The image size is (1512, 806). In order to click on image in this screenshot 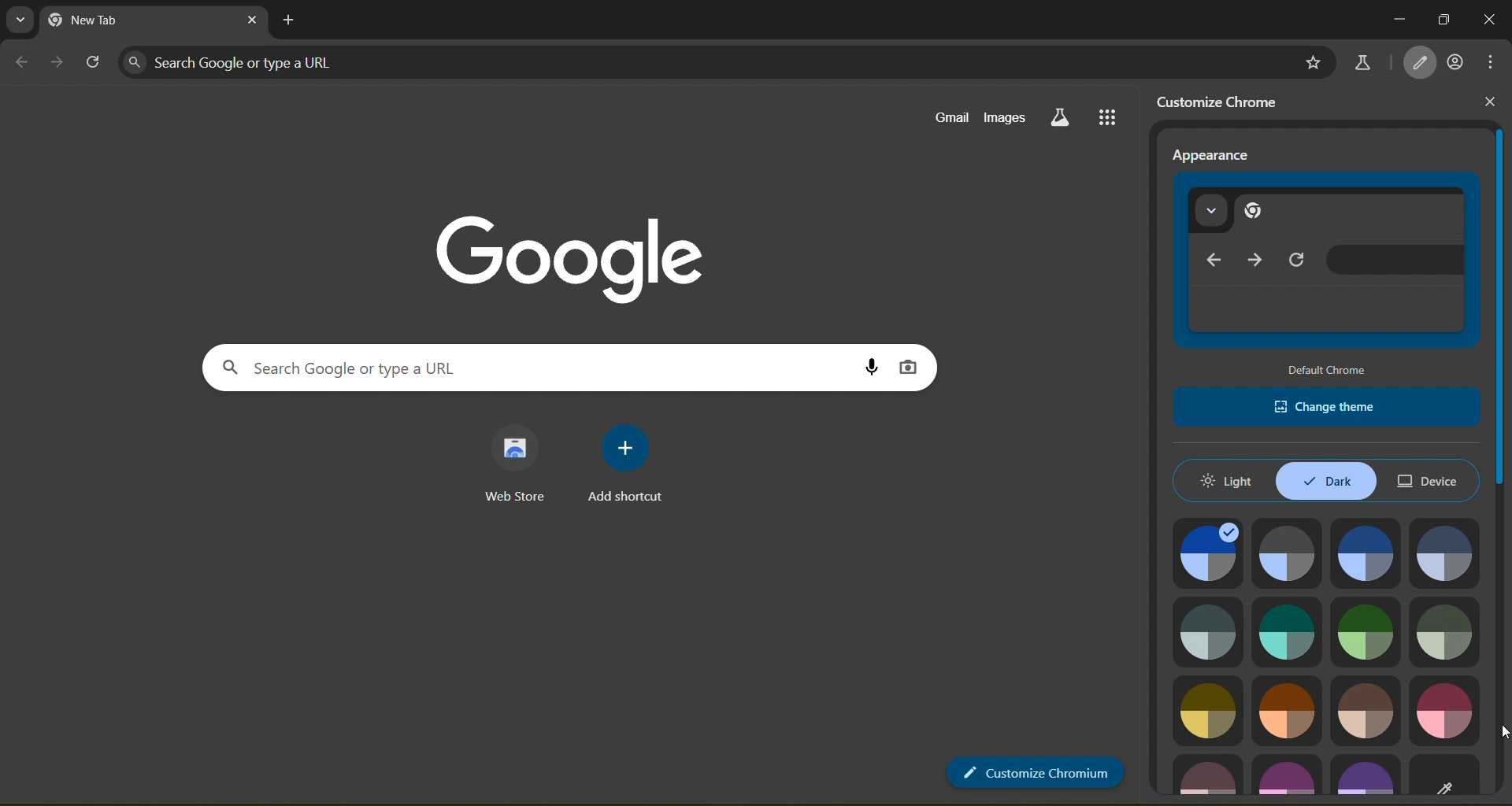, I will do `click(1445, 708)`.